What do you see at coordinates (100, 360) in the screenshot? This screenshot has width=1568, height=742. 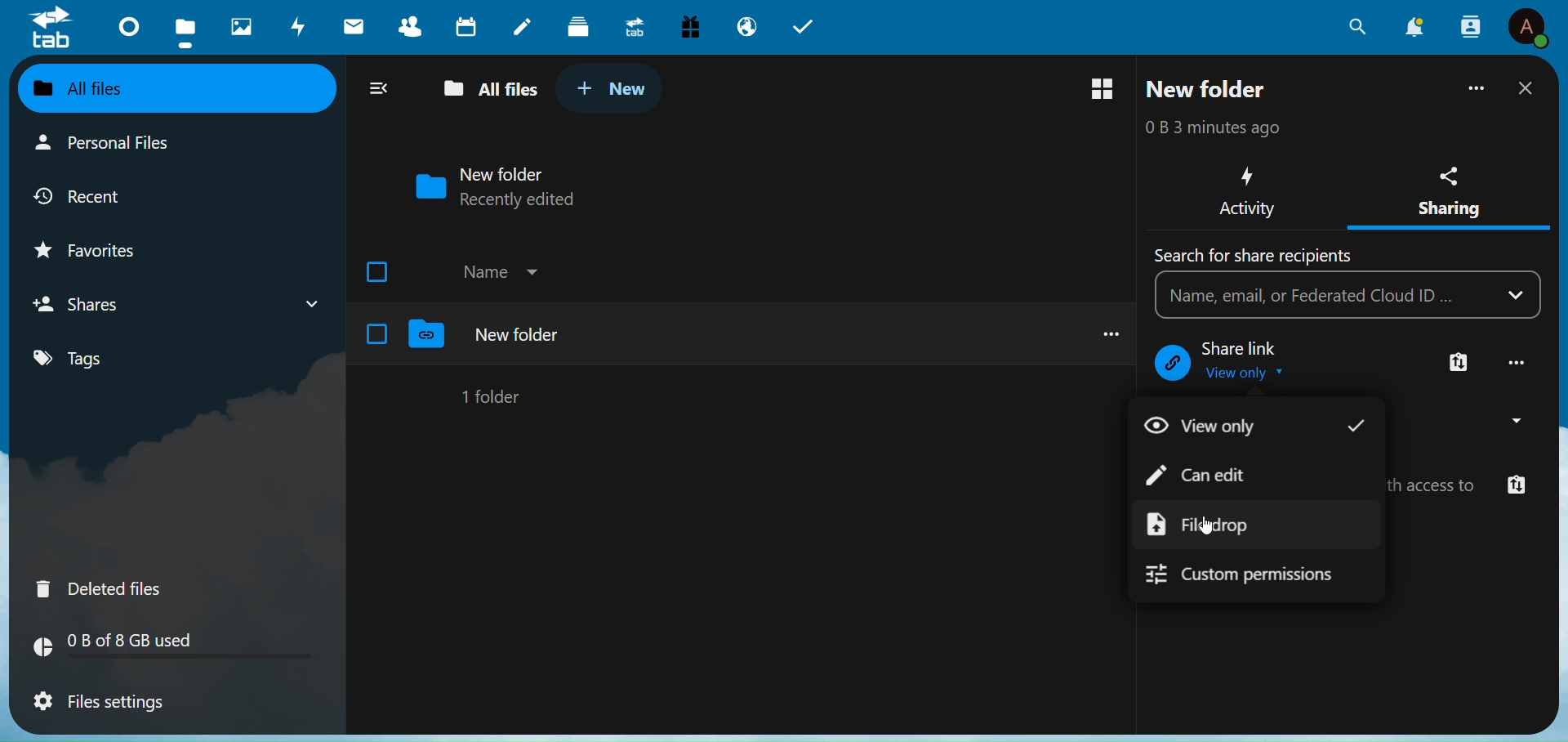 I see `Tags` at bounding box center [100, 360].